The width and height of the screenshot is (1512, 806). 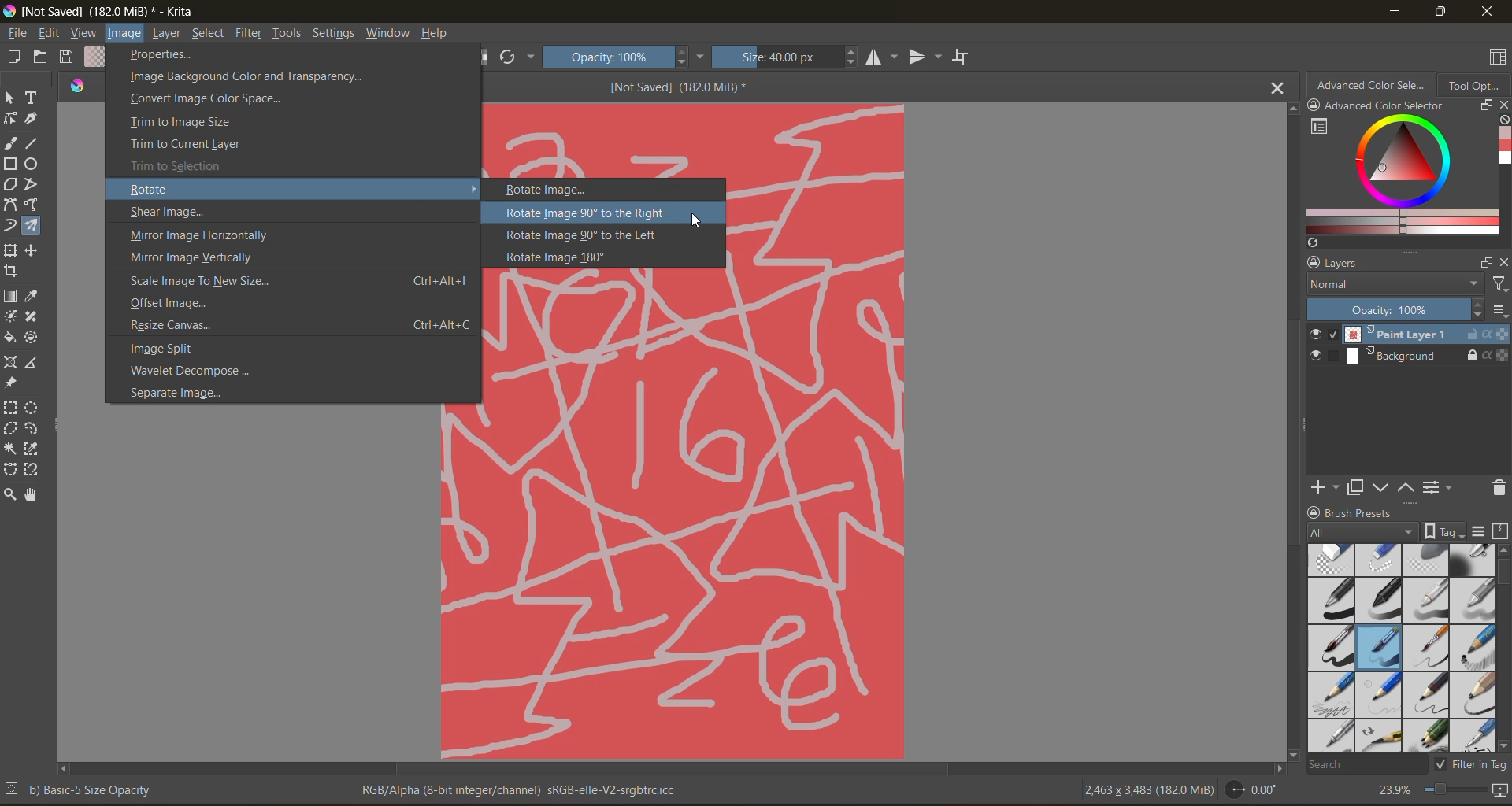 I want to click on zoom factor, so click(x=1395, y=789).